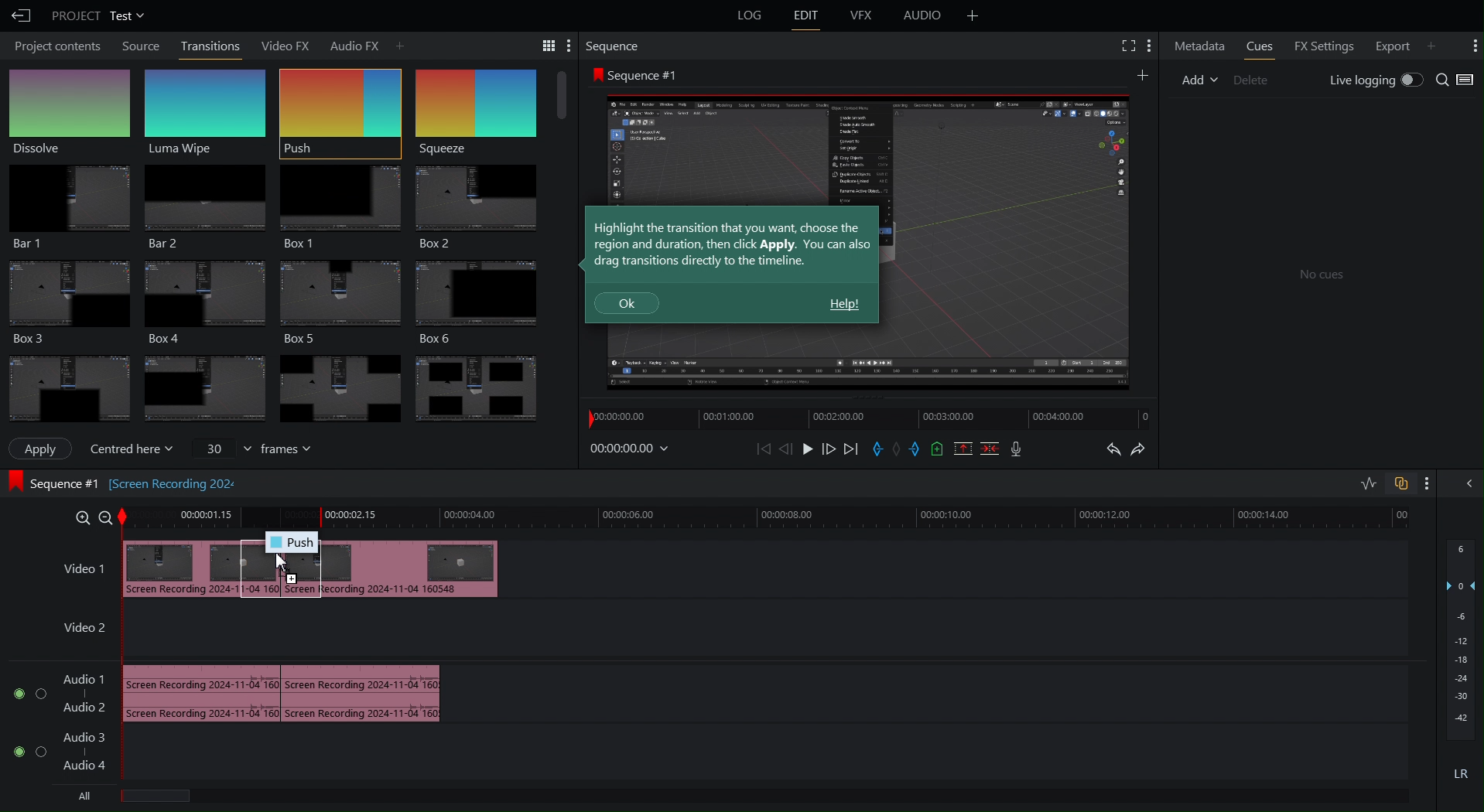  Describe the element at coordinates (636, 74) in the screenshot. I see `Sequence #1` at that location.